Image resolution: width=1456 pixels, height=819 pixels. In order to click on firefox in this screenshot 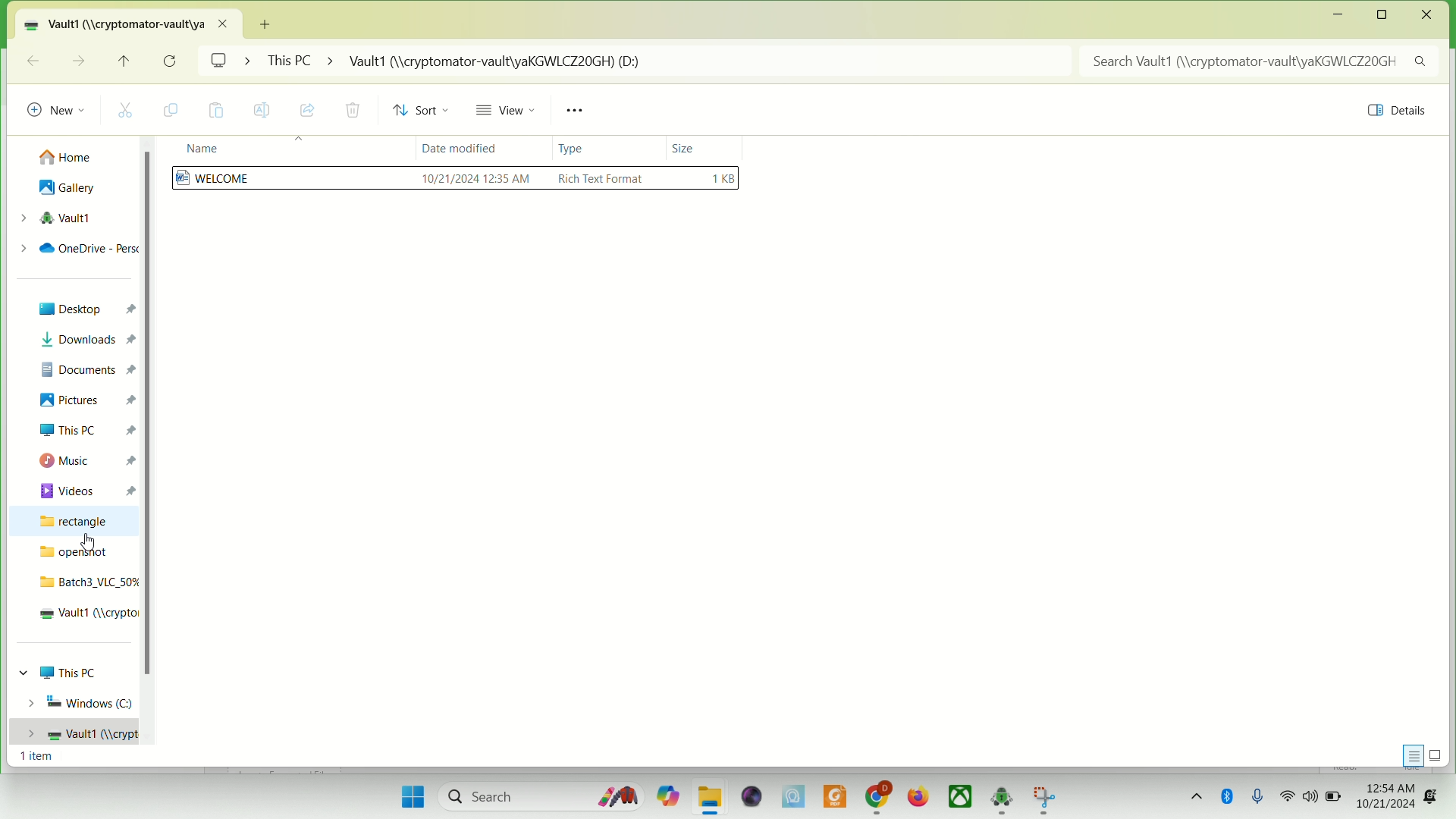, I will do `click(918, 796)`.